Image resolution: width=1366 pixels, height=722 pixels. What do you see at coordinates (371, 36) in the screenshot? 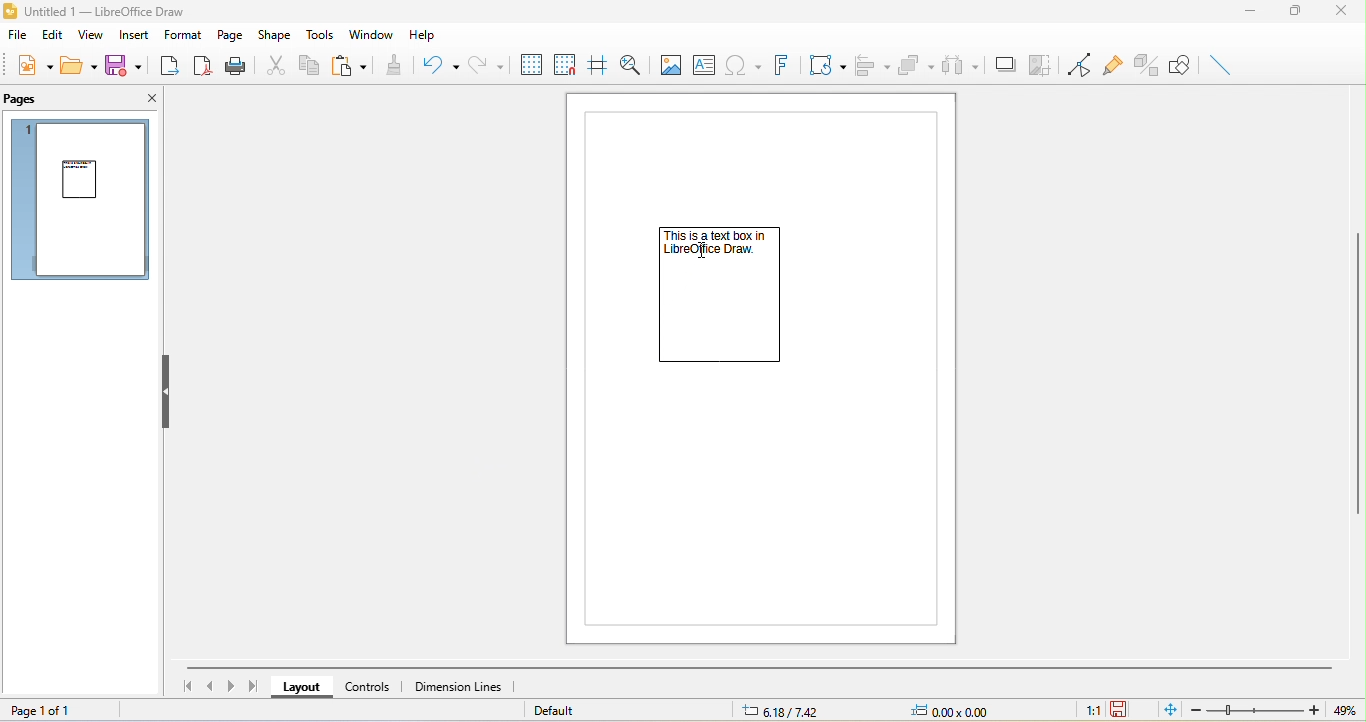
I see `window` at bounding box center [371, 36].